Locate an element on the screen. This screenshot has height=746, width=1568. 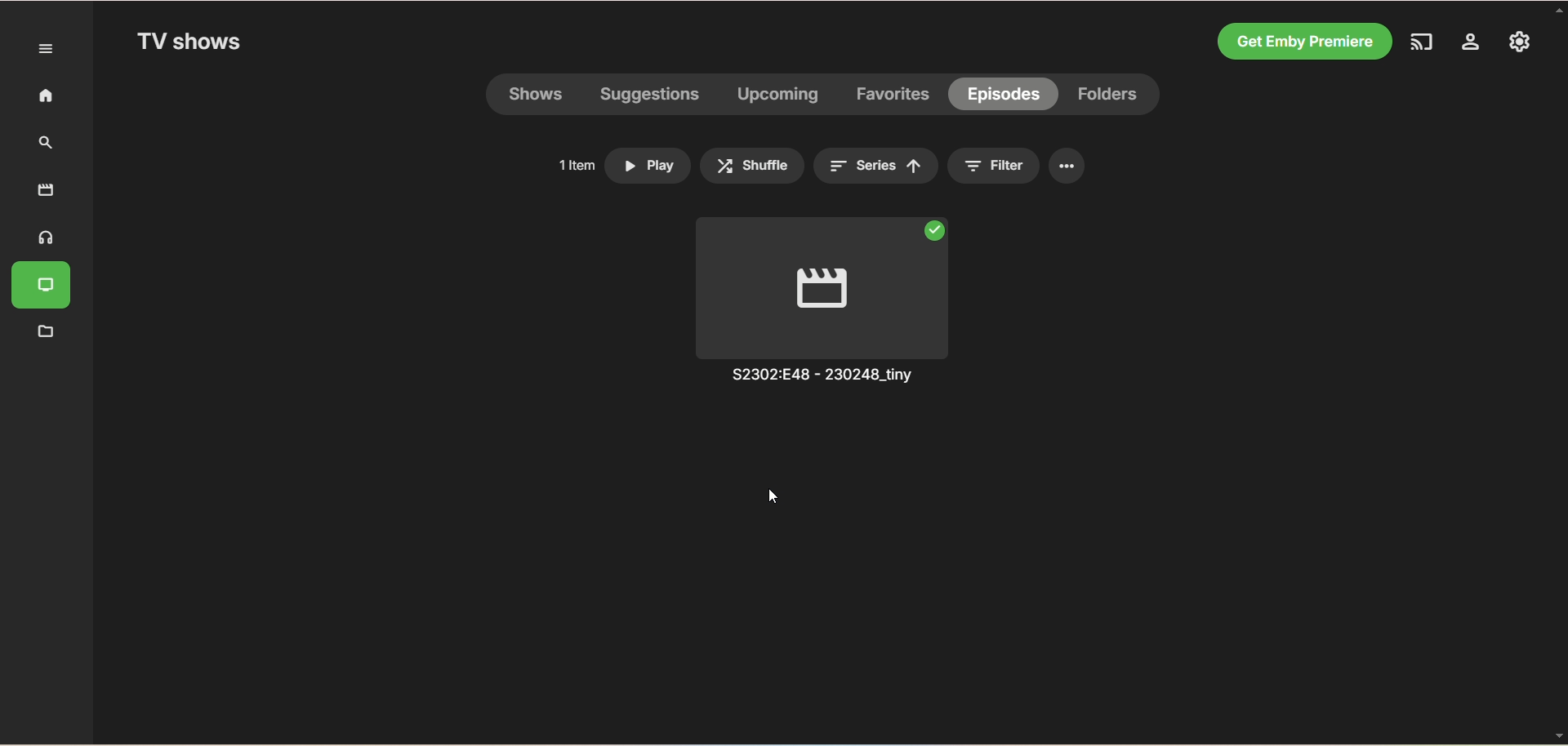
cursor is located at coordinates (773, 499).